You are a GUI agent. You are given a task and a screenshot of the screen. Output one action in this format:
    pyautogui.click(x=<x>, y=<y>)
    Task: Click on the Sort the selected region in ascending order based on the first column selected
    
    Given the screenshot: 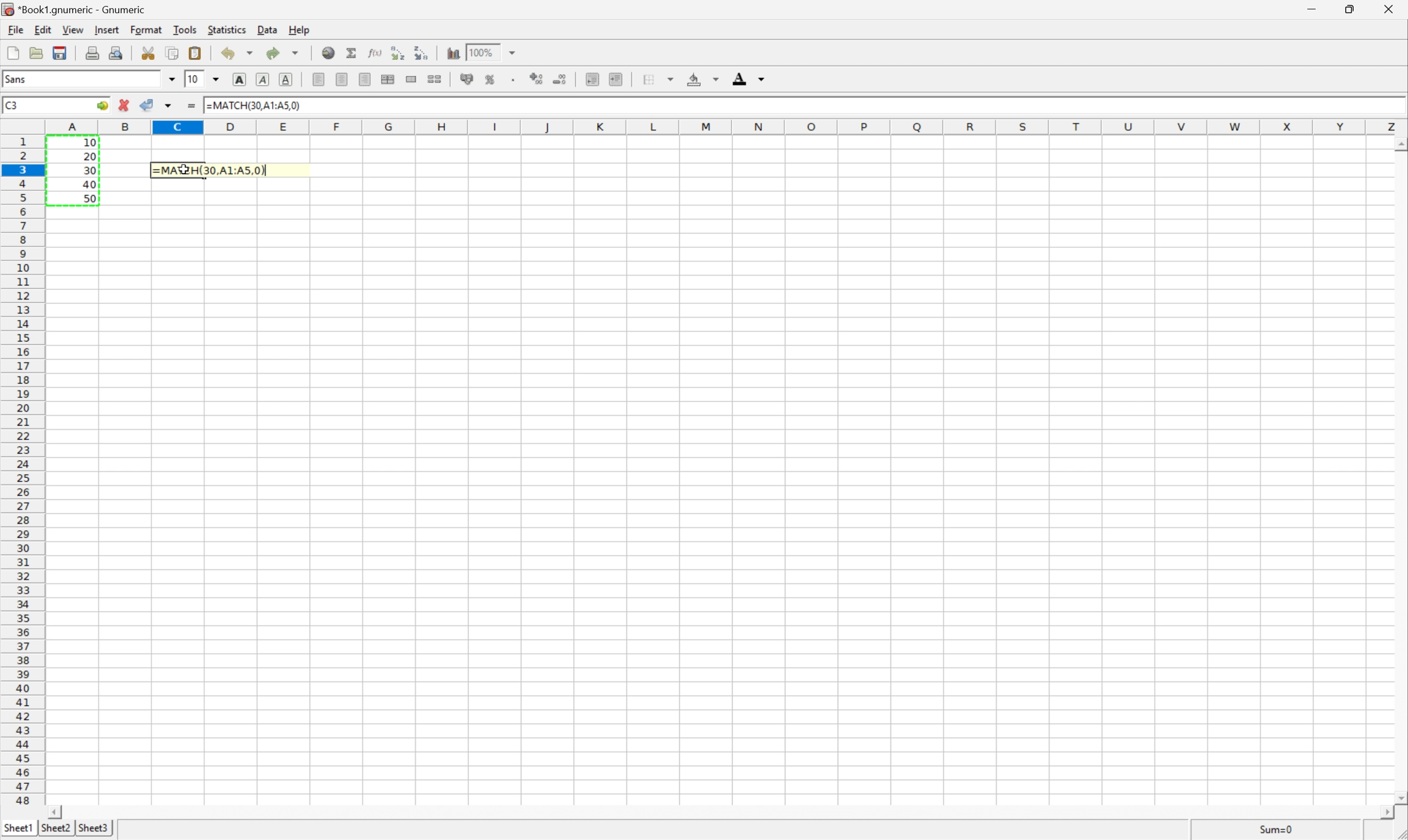 What is the action you would take?
    pyautogui.click(x=398, y=53)
    